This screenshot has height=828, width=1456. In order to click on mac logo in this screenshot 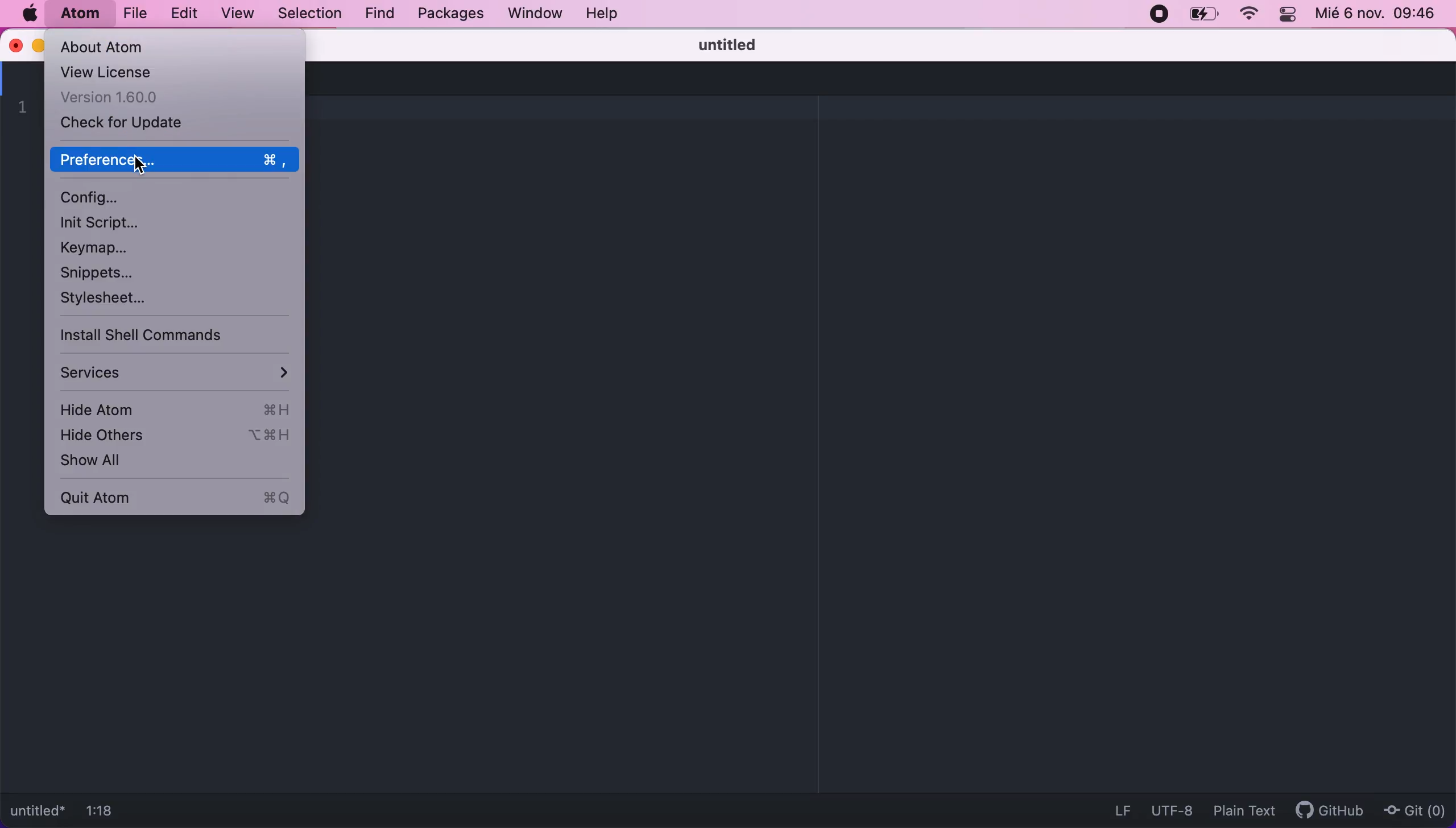, I will do `click(29, 15)`.